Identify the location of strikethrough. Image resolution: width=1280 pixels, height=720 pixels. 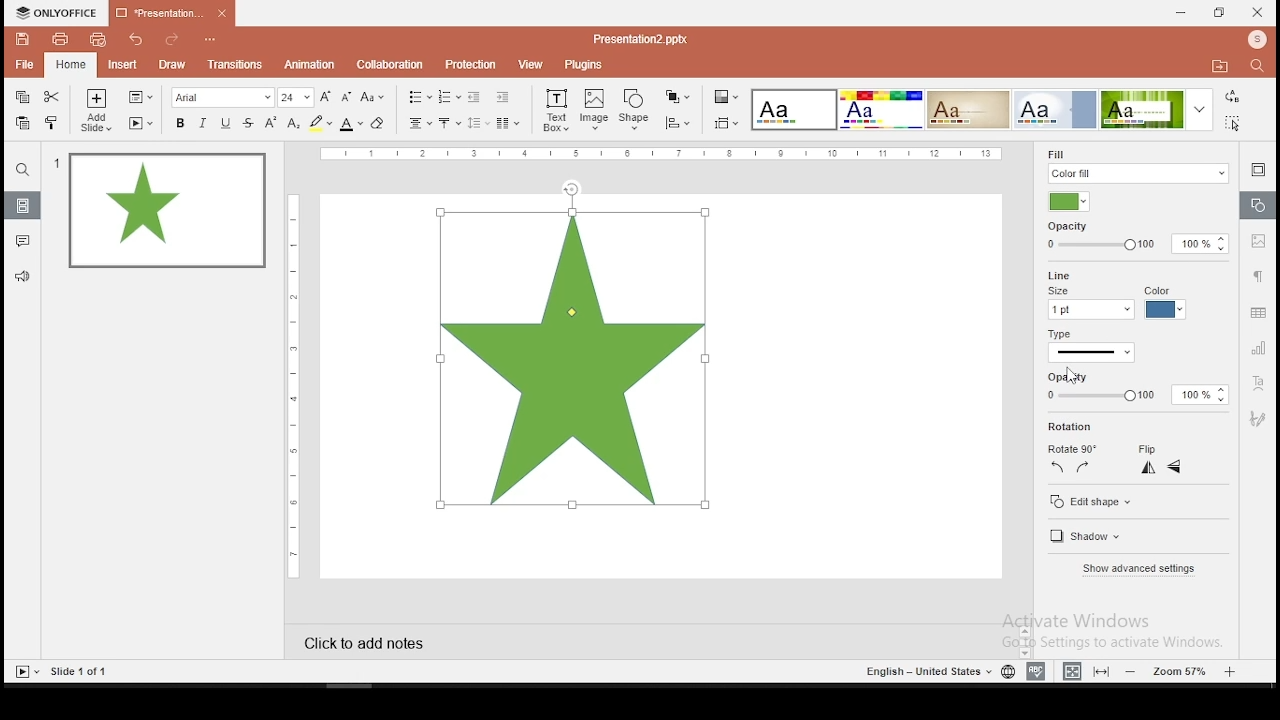
(248, 123).